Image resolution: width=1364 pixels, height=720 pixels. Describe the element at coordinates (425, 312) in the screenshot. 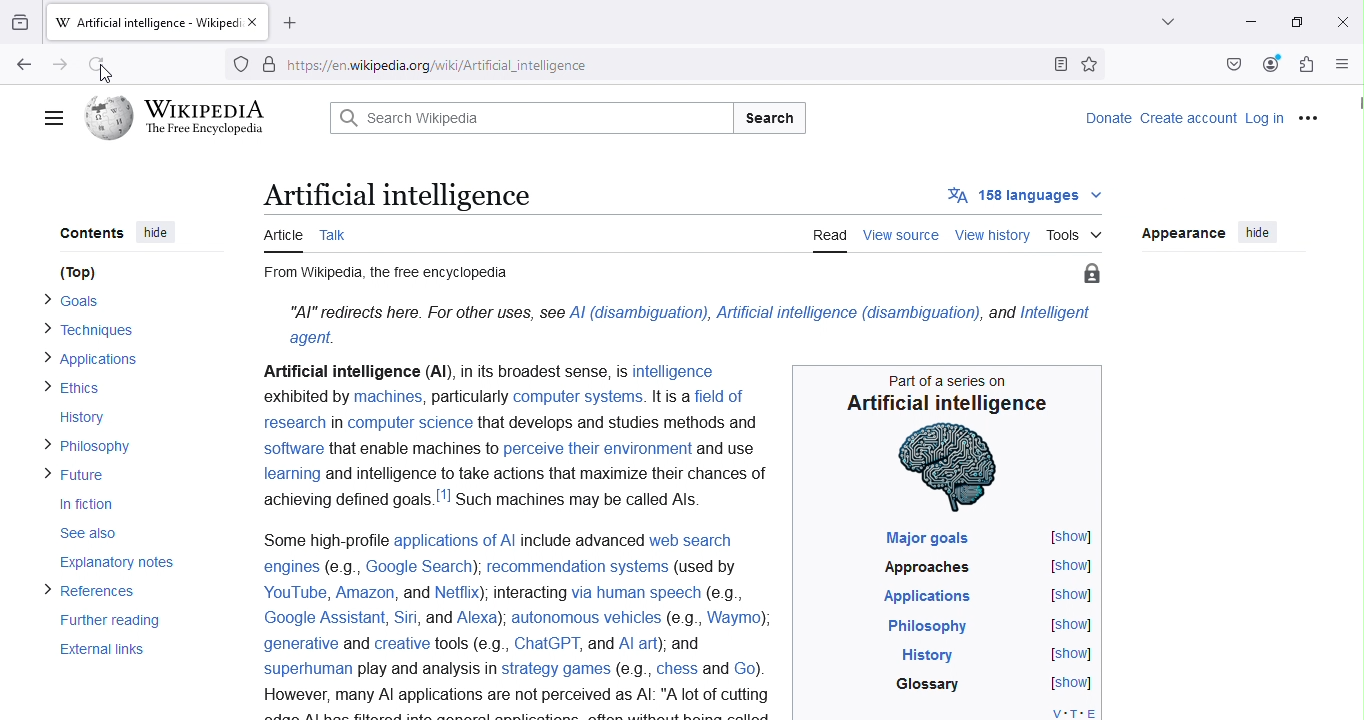

I see `“Al” redirects here. For other uses, see` at that location.